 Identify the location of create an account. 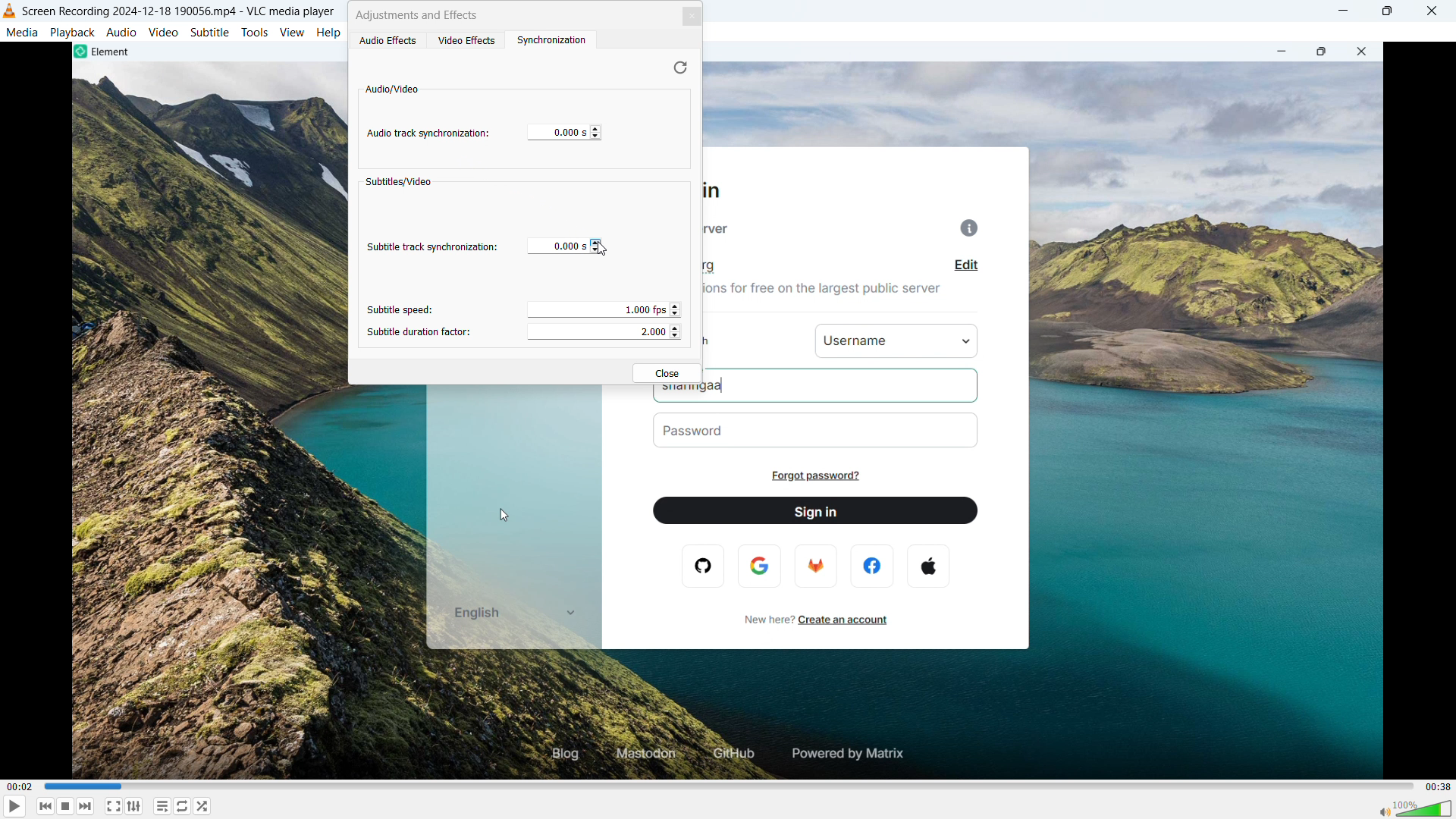
(854, 620).